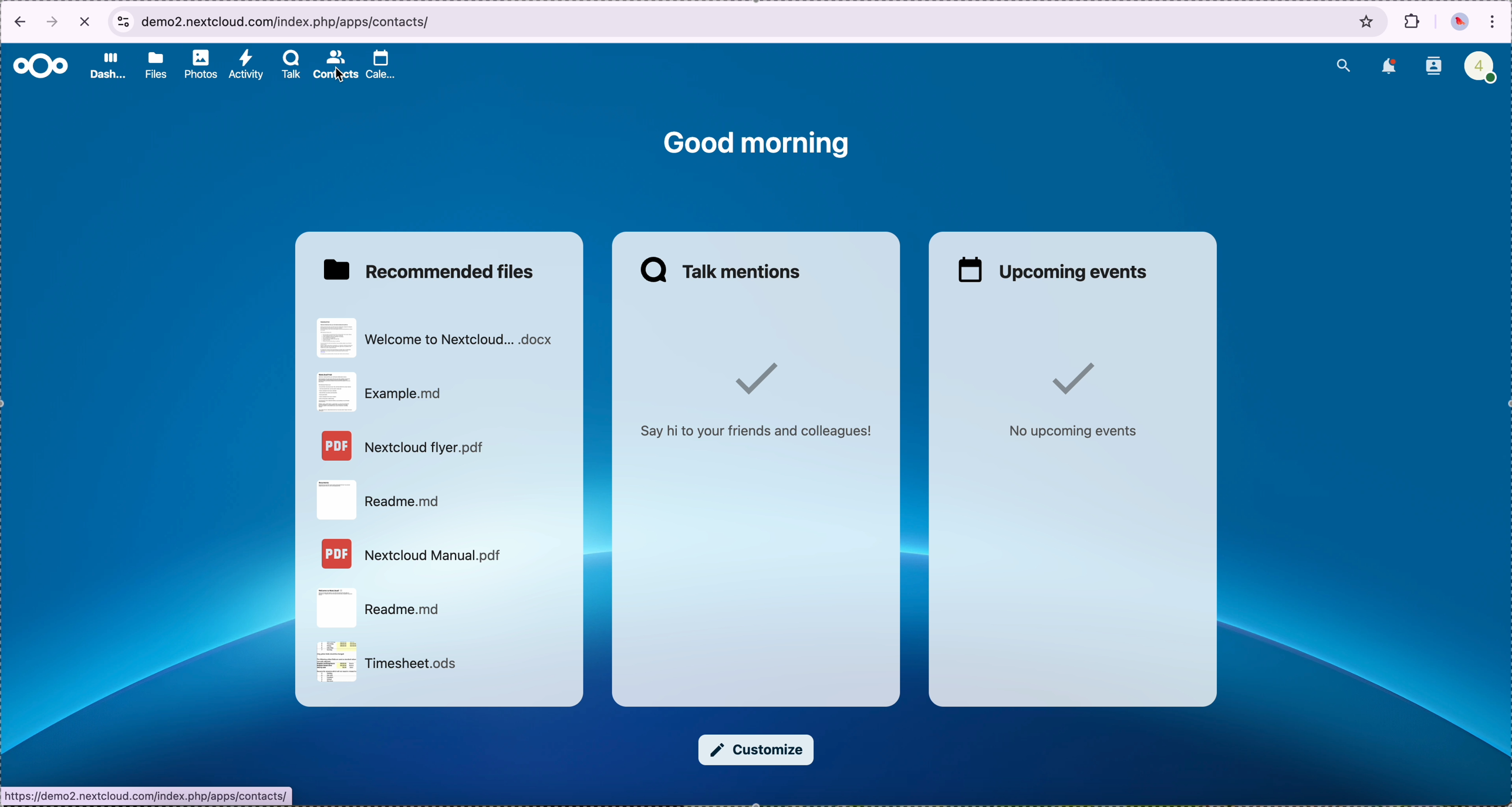 This screenshot has height=807, width=1512. I want to click on file, so click(384, 607).